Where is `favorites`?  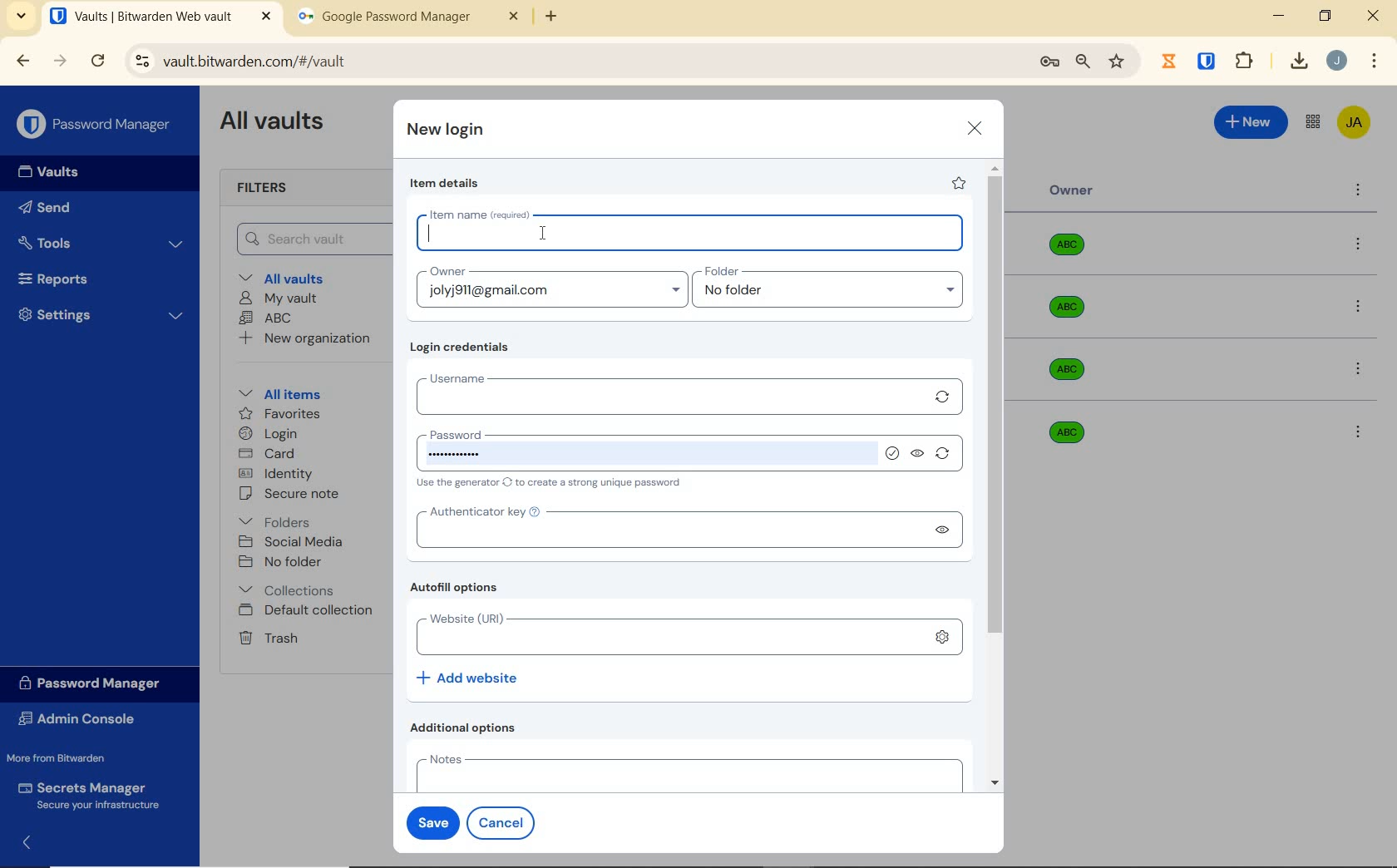
favorites is located at coordinates (281, 416).